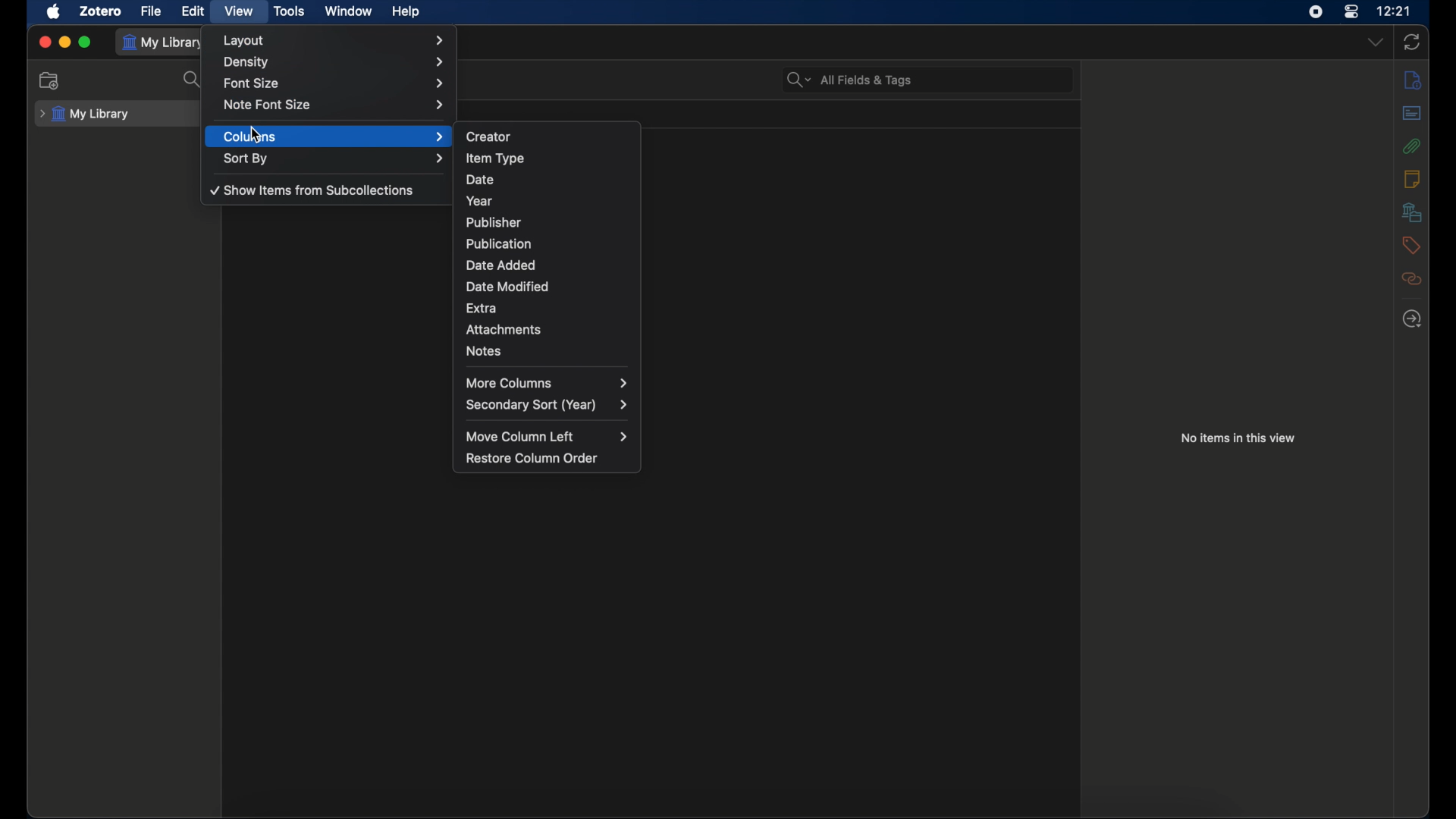  Describe the element at coordinates (481, 309) in the screenshot. I see `extra` at that location.